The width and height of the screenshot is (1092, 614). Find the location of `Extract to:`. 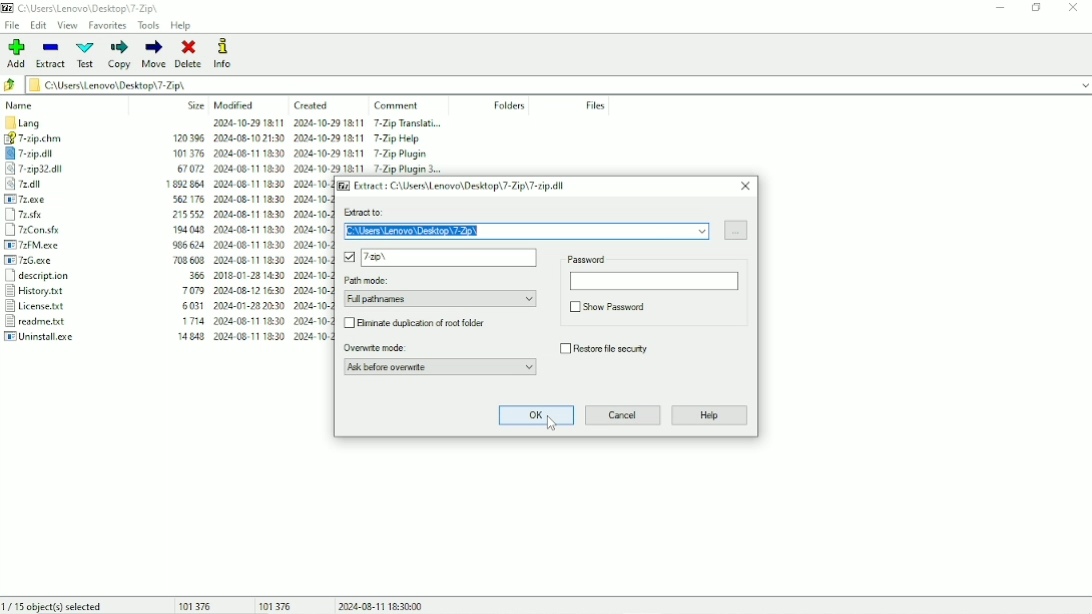

Extract to: is located at coordinates (525, 223).